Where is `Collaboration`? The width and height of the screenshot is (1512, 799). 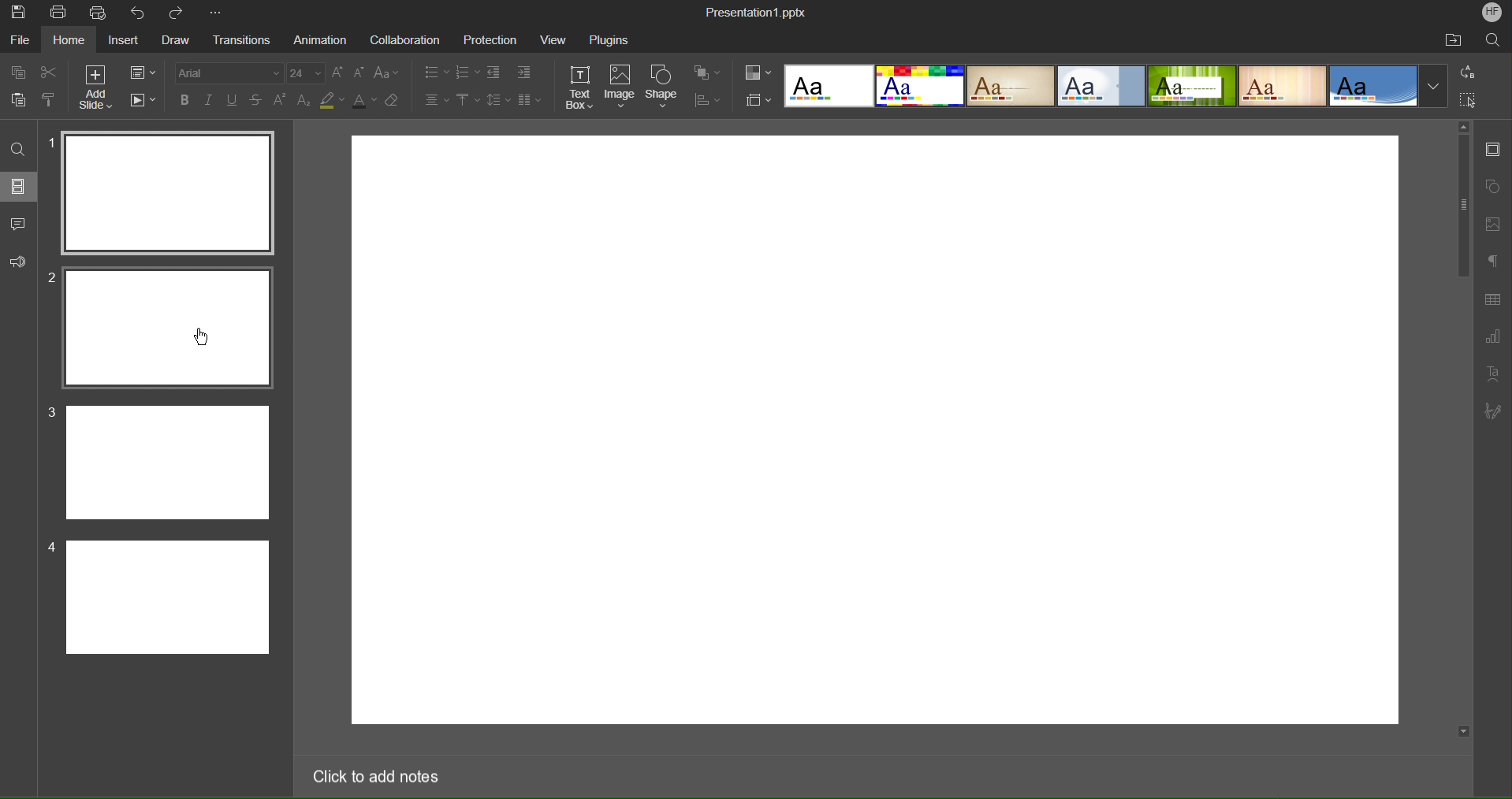 Collaboration is located at coordinates (404, 39).